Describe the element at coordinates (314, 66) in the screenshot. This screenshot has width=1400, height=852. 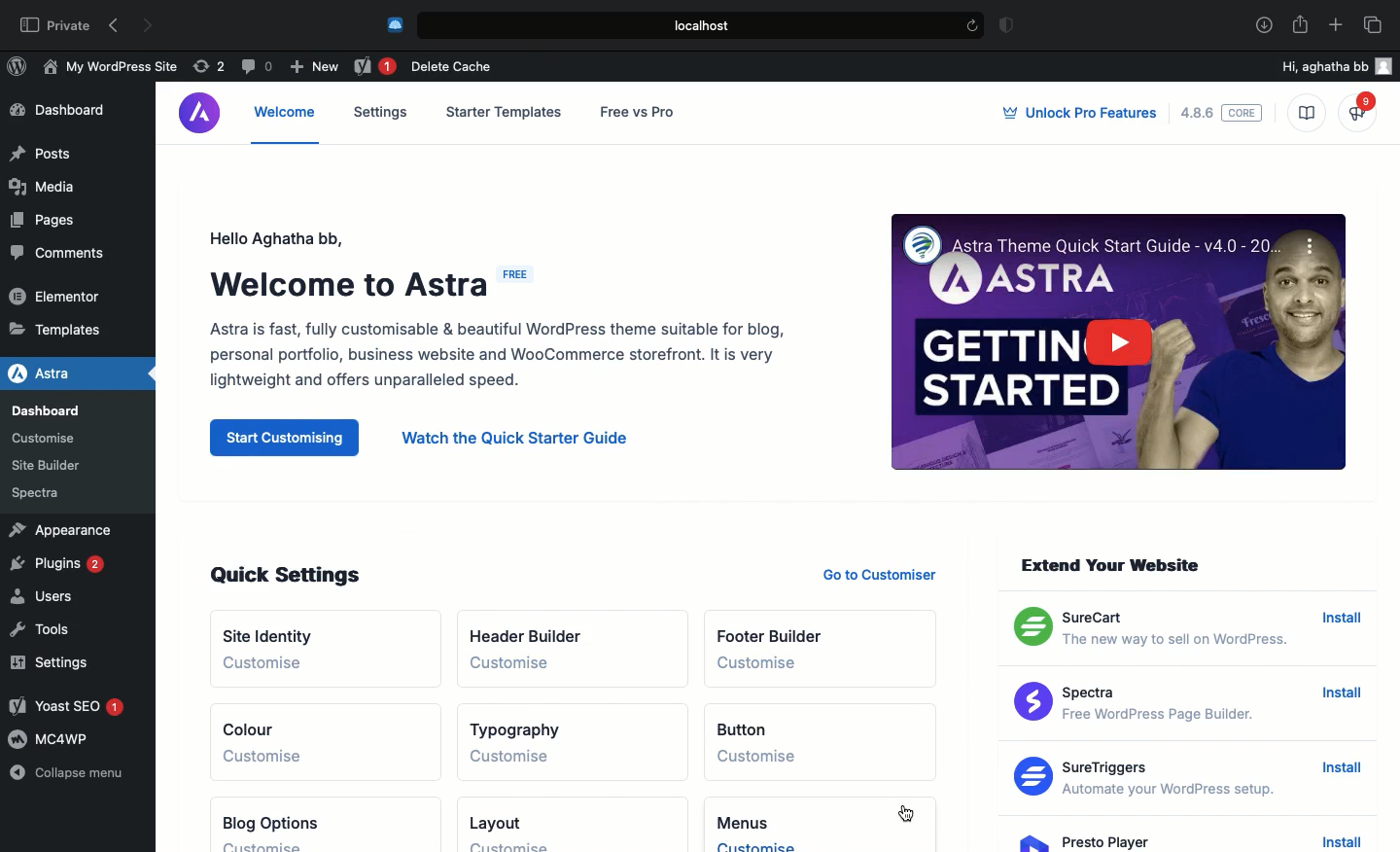
I see `New` at that location.